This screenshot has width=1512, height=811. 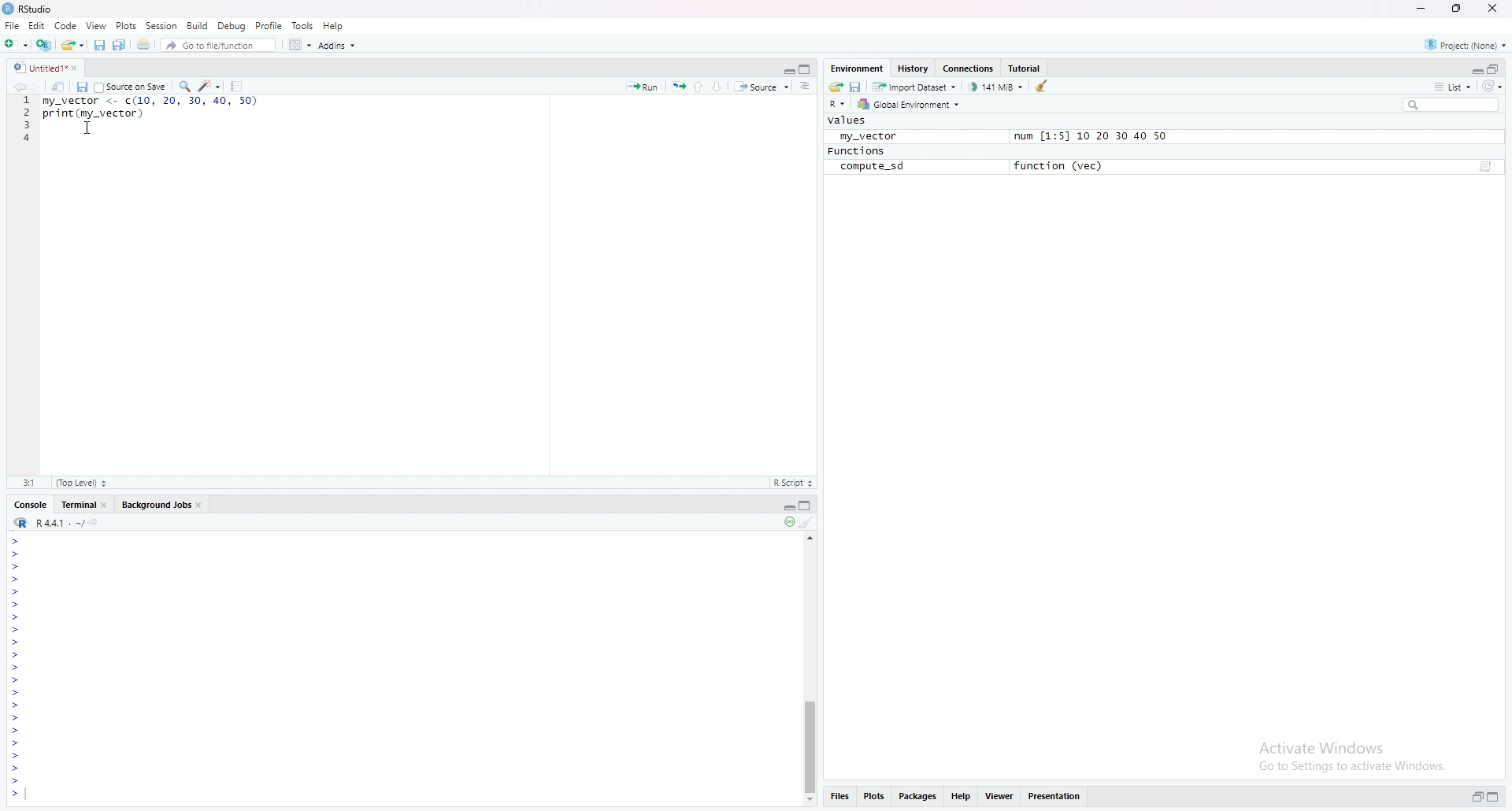 What do you see at coordinates (20, 523) in the screenshot?
I see `RStudio logo` at bounding box center [20, 523].